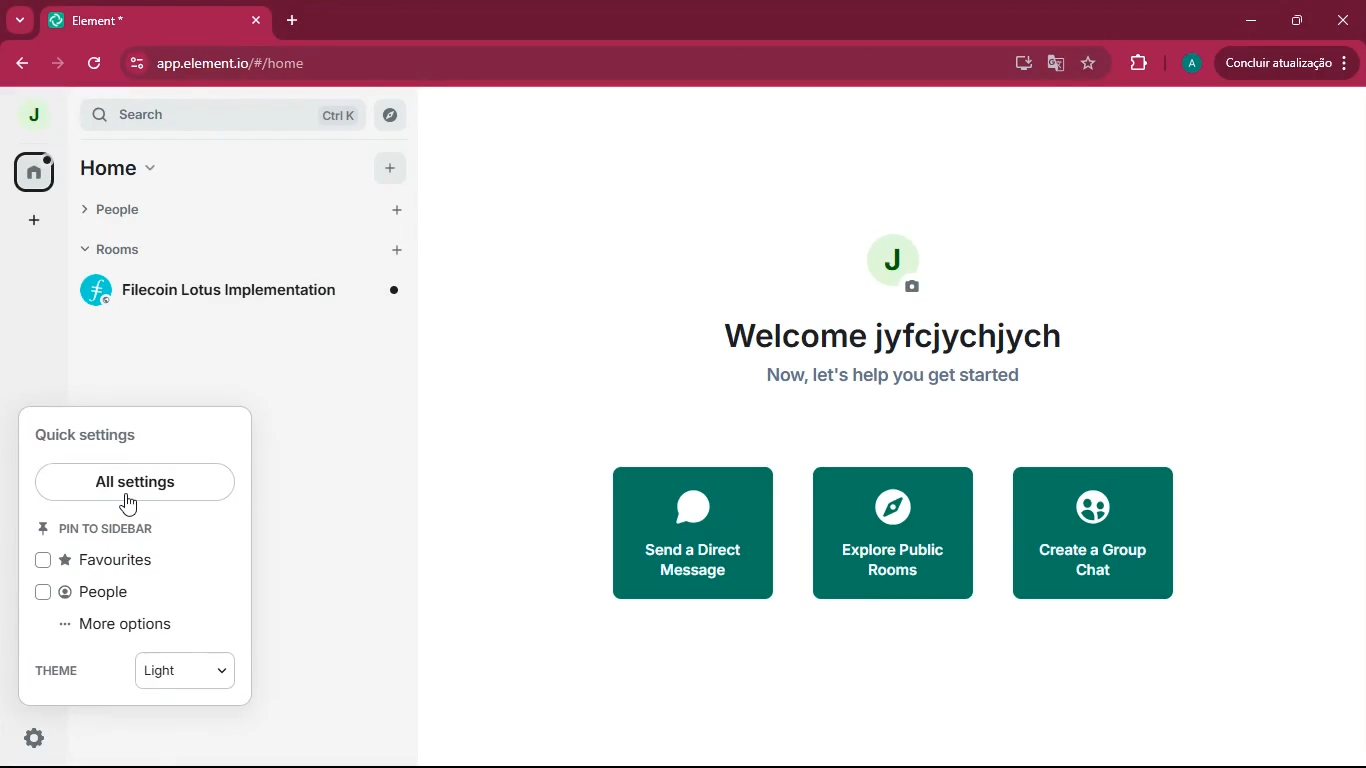 The image size is (1366, 768). What do you see at coordinates (220, 213) in the screenshot?
I see `people` at bounding box center [220, 213].